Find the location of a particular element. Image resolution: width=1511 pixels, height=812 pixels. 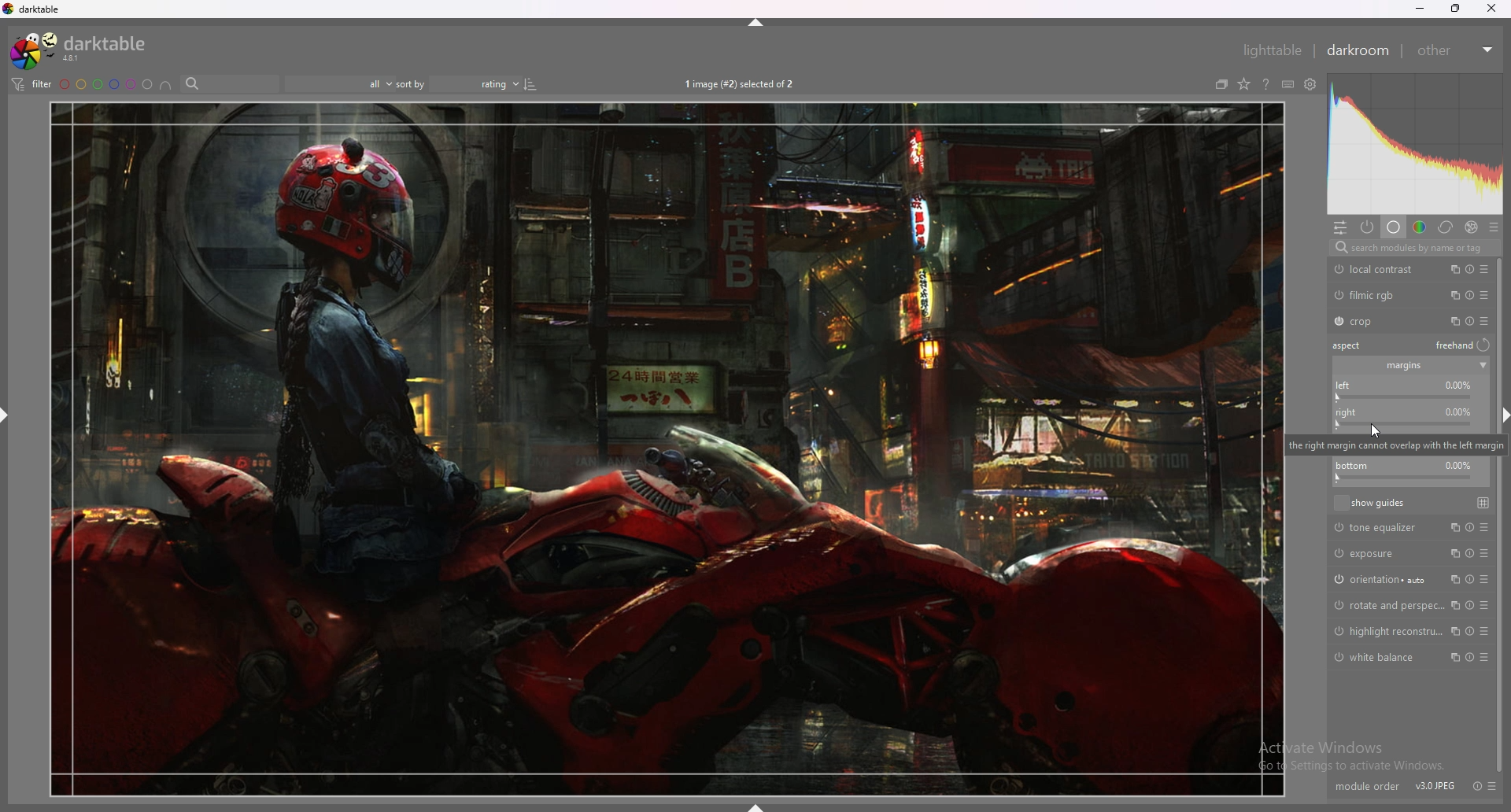

orientation is located at coordinates (1380, 578).